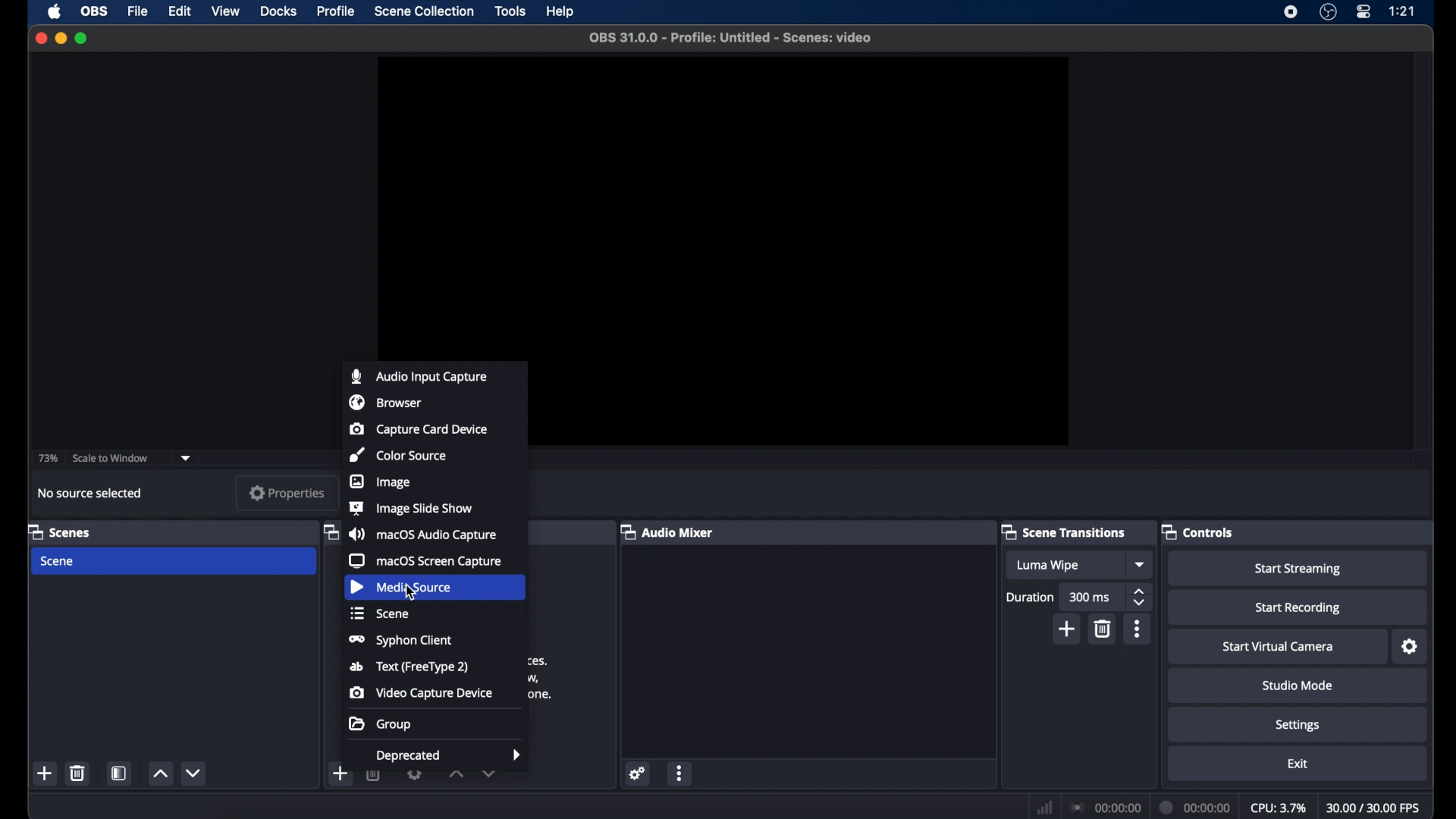 The image size is (1456, 819). What do you see at coordinates (1298, 764) in the screenshot?
I see `exit` at bounding box center [1298, 764].